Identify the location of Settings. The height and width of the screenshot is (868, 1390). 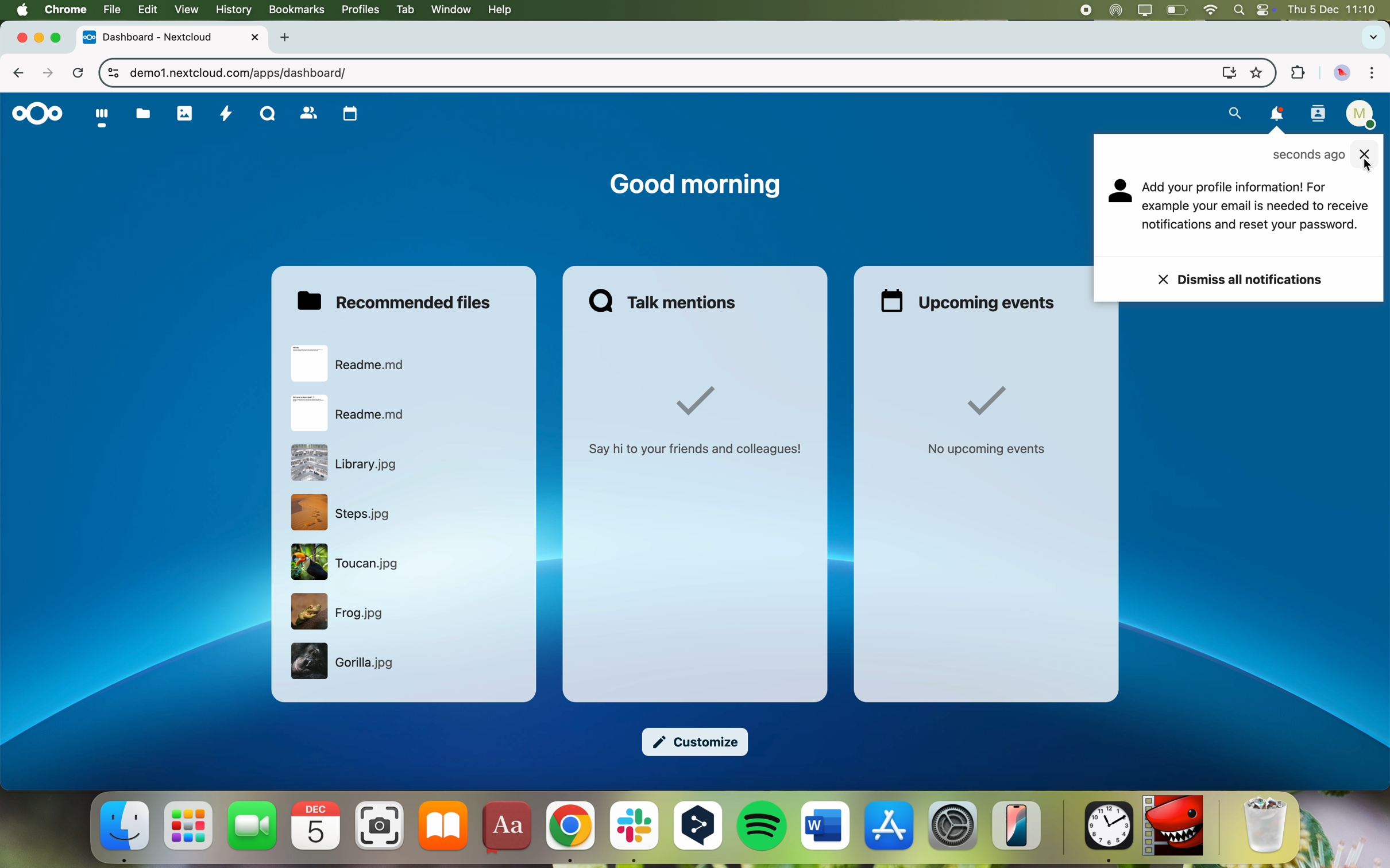
(953, 826).